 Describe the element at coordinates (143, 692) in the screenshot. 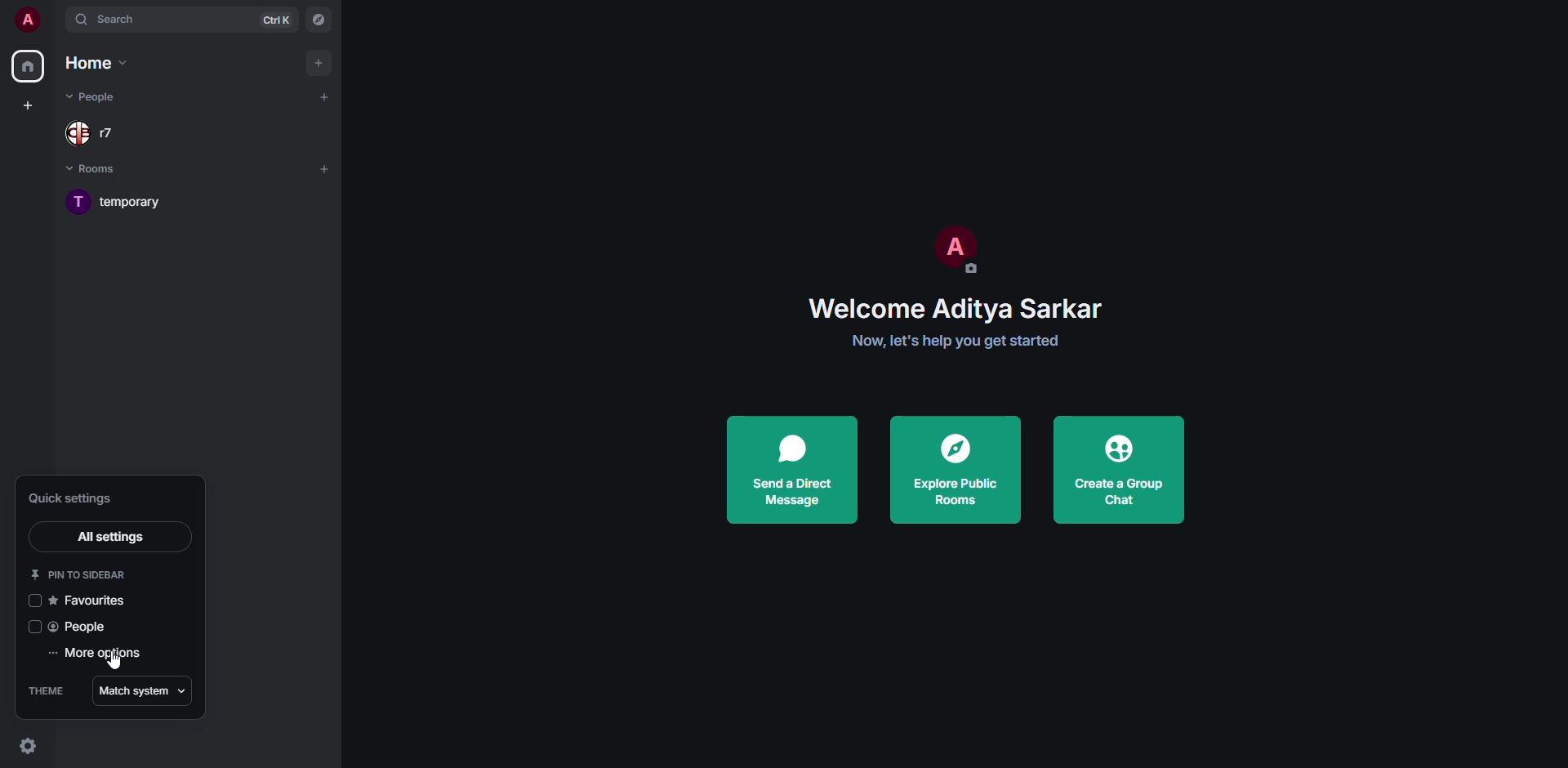

I see `match system` at that location.